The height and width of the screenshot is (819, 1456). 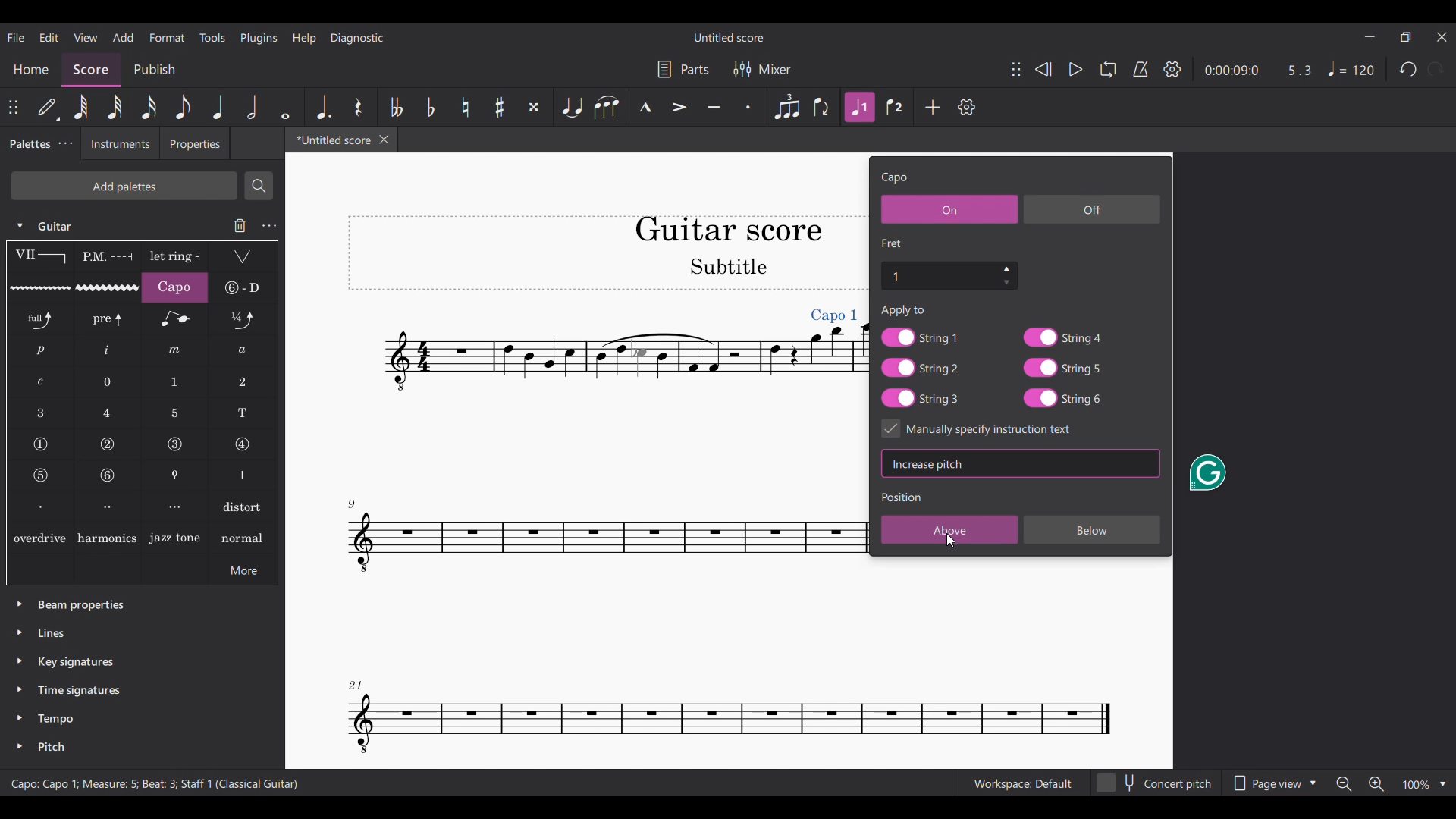 I want to click on Guitar vibrato wide, so click(x=108, y=287).